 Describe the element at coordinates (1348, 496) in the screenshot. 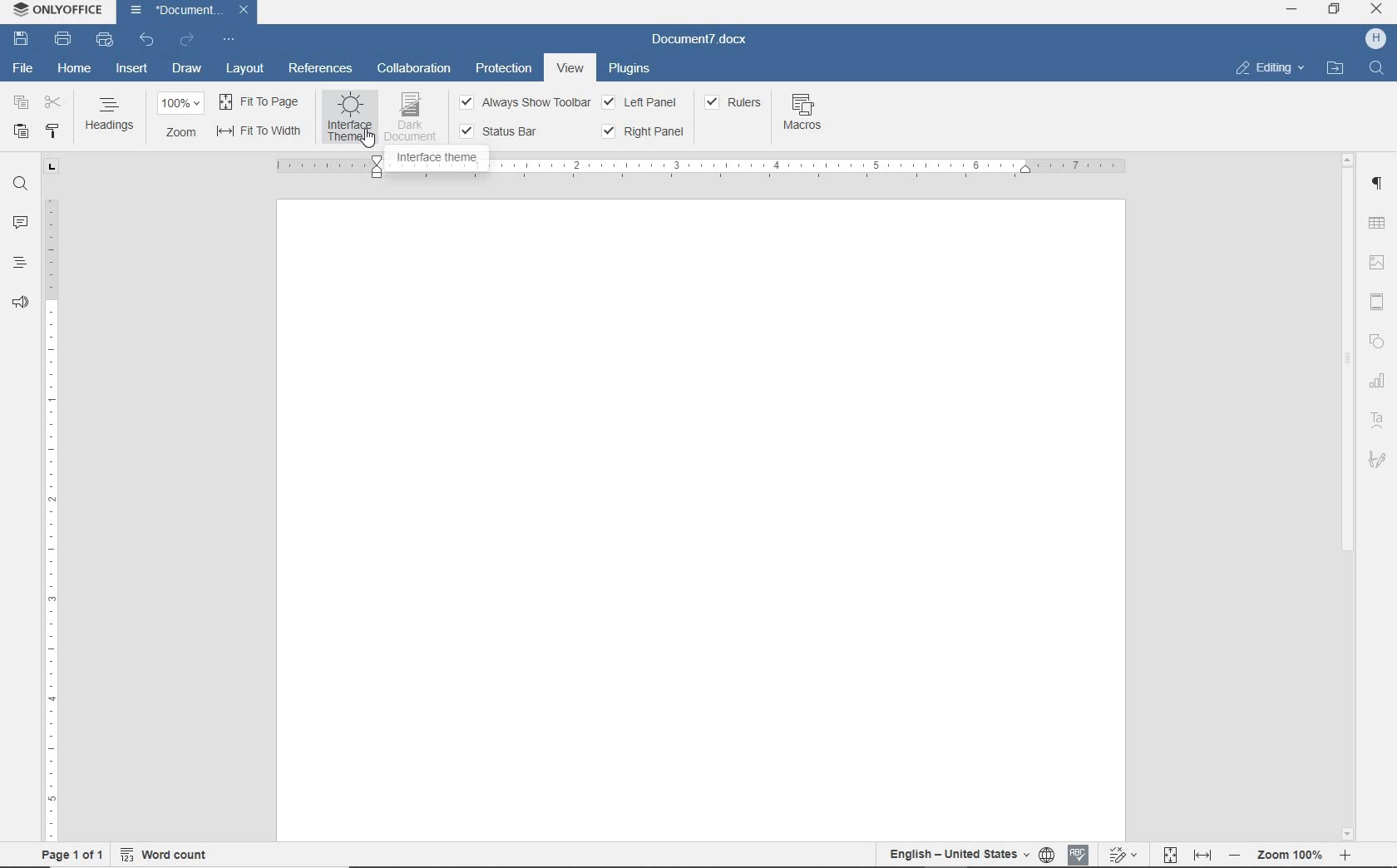

I see `SCROLLBAR` at that location.